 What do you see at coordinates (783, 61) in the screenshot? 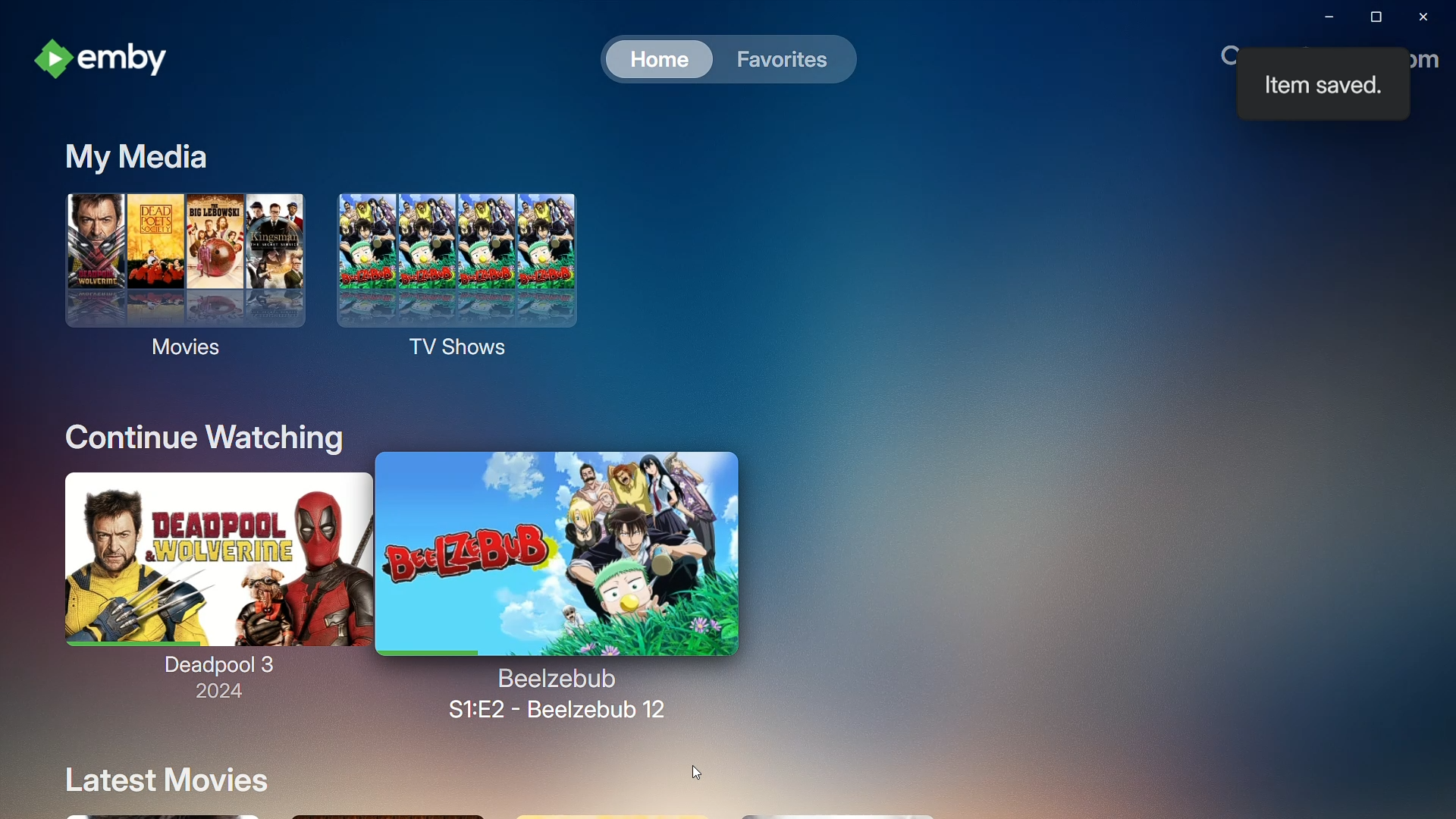
I see `Favorites` at bounding box center [783, 61].